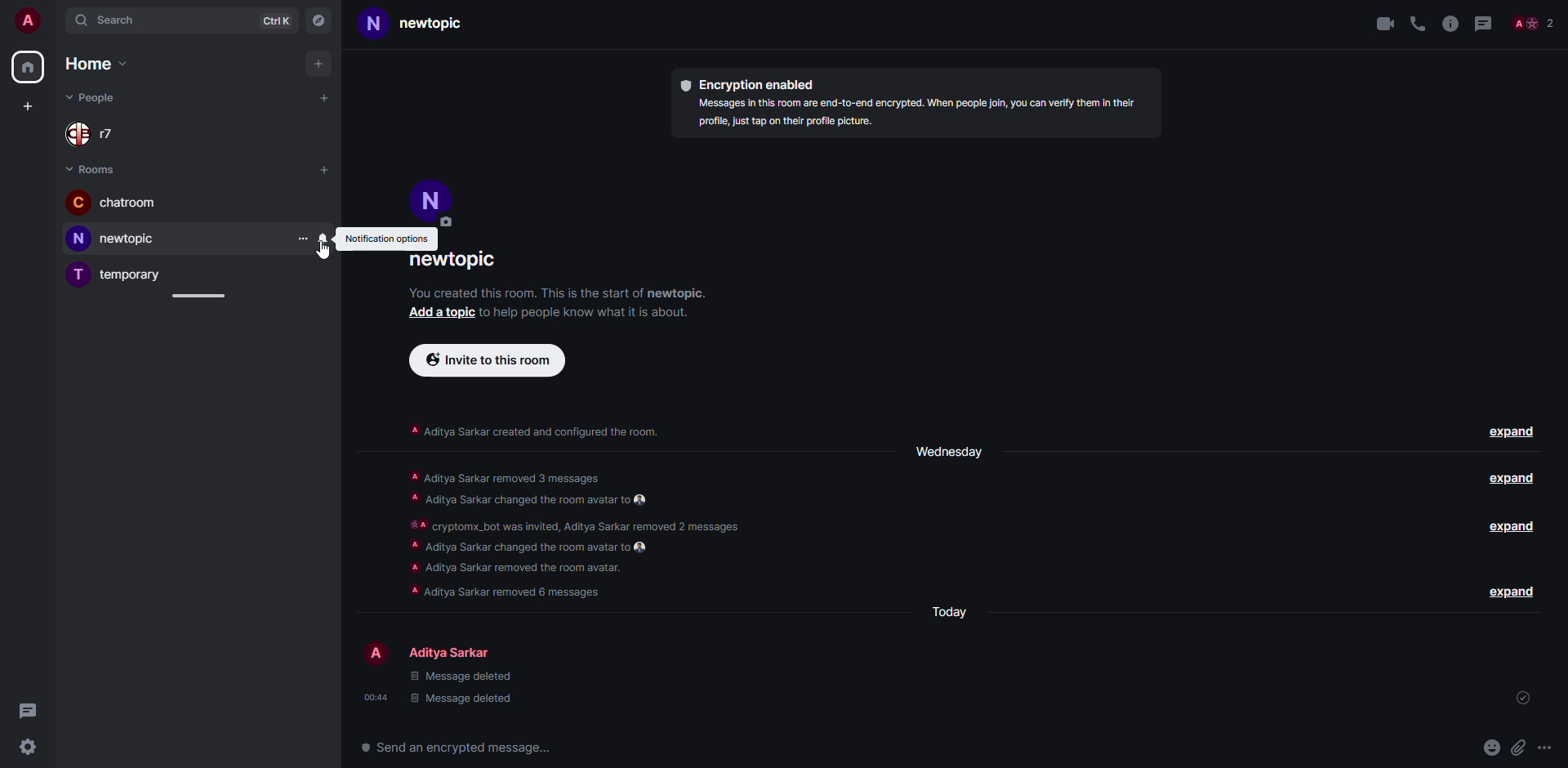 This screenshot has height=768, width=1568. I want to click on ctrlK, so click(274, 22).